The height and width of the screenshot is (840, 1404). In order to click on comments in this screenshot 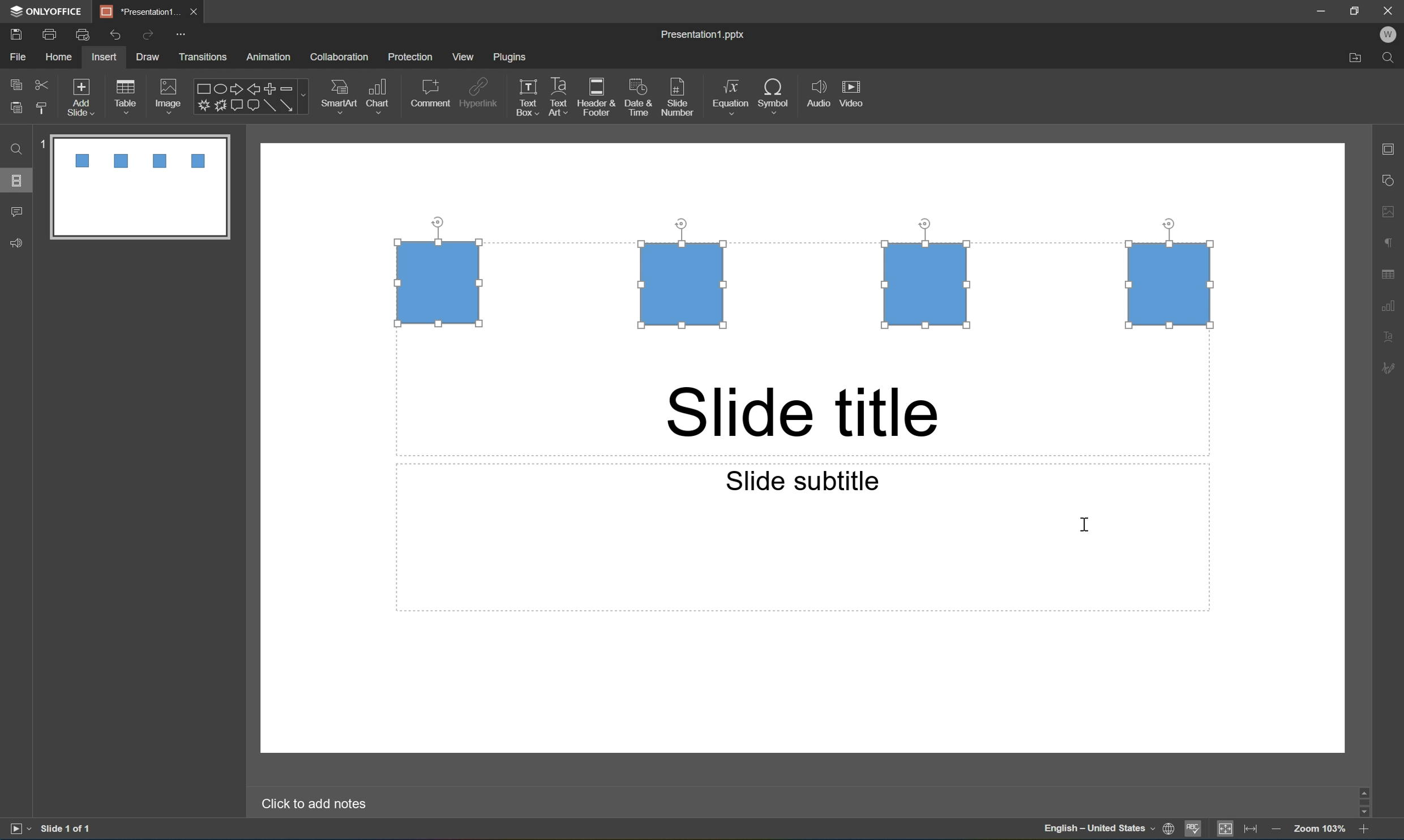, I will do `click(16, 212)`.